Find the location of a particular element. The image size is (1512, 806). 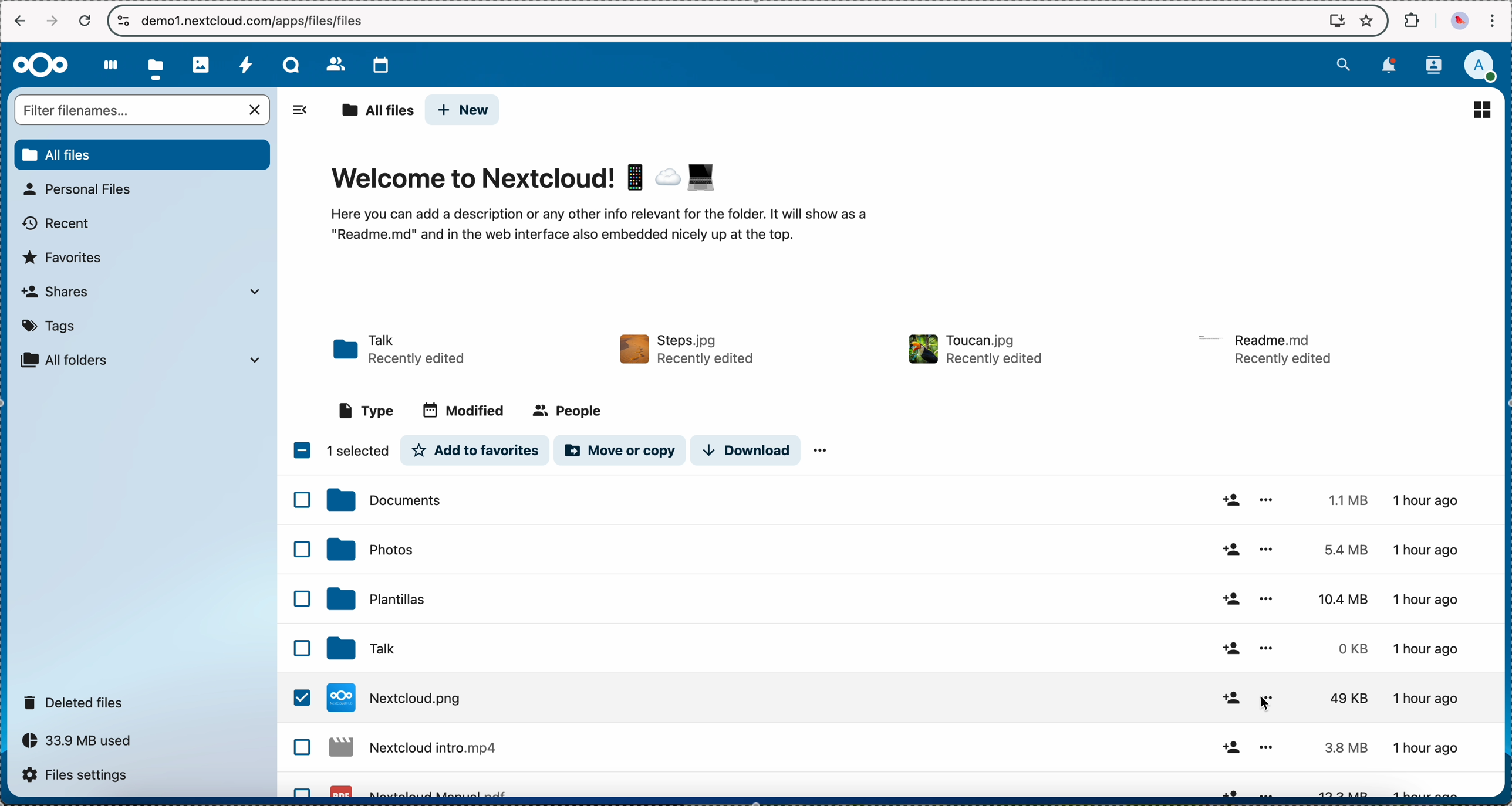

customize and control Google Chrome is located at coordinates (1493, 21).